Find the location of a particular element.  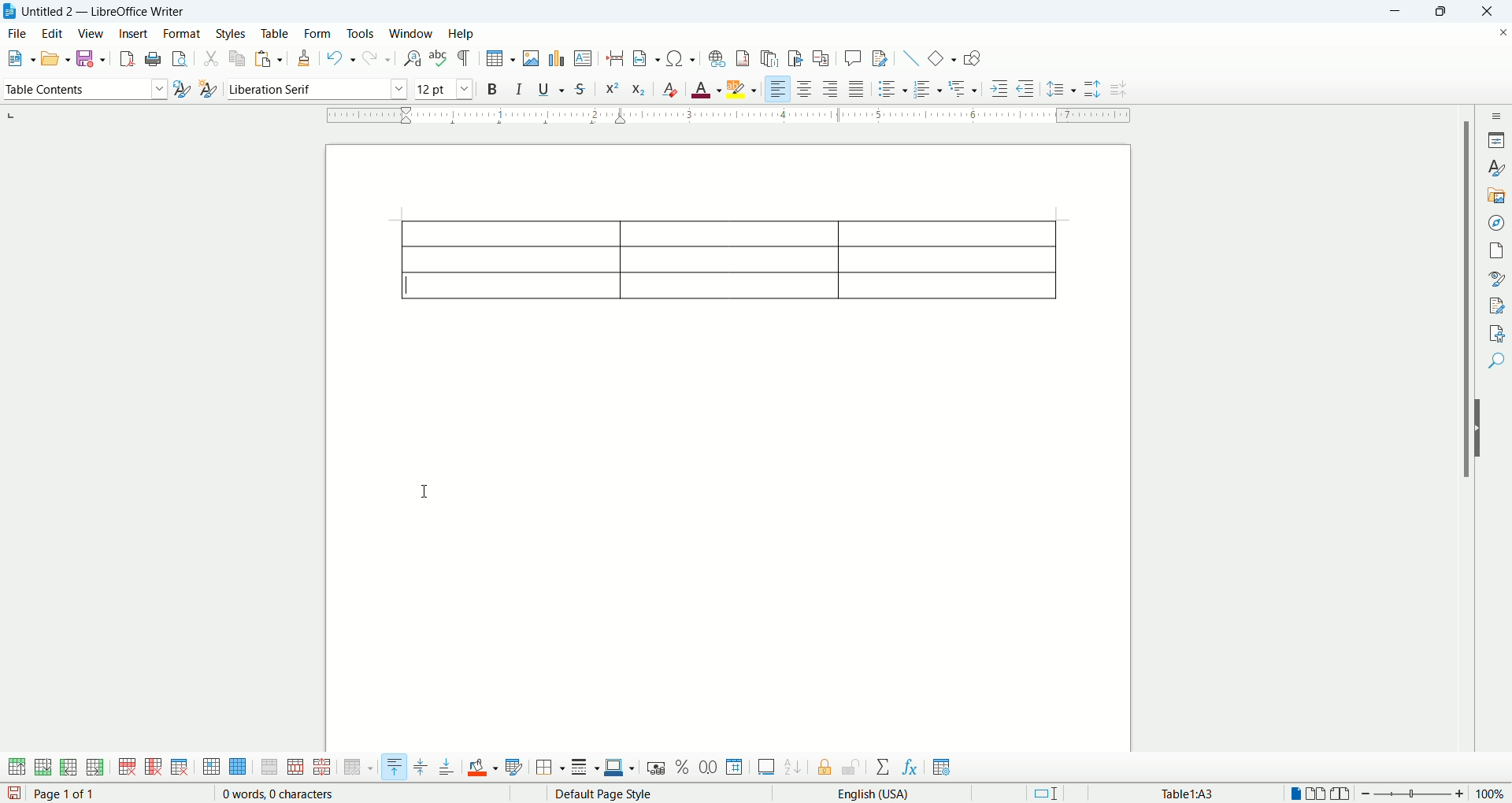

align center is located at coordinates (806, 90).